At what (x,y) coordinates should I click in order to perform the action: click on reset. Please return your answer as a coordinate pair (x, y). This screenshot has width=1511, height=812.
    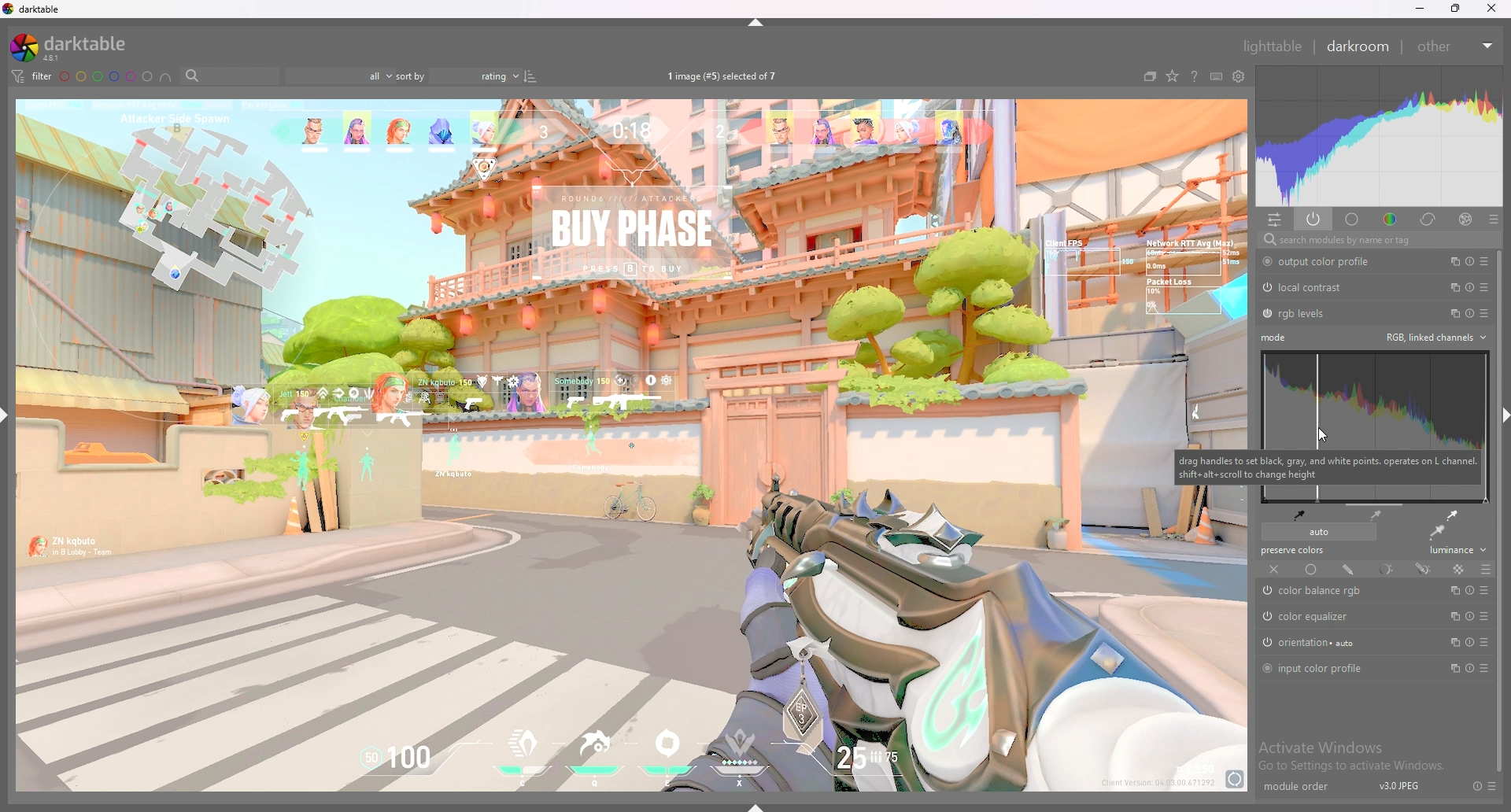
    Looking at the image, I should click on (1470, 670).